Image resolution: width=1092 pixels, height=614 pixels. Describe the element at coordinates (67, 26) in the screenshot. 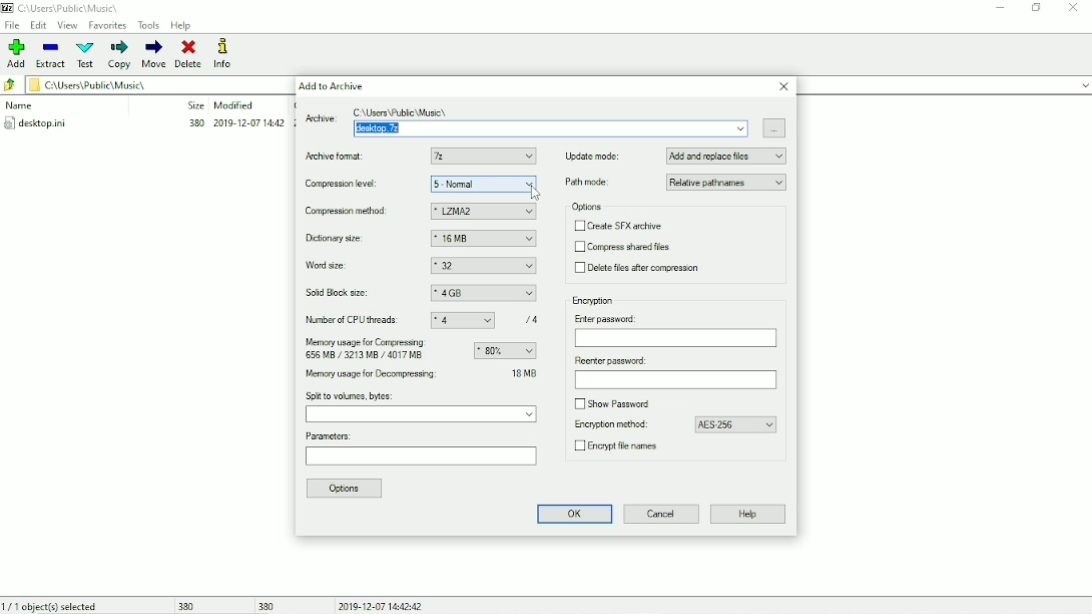

I see `View` at that location.